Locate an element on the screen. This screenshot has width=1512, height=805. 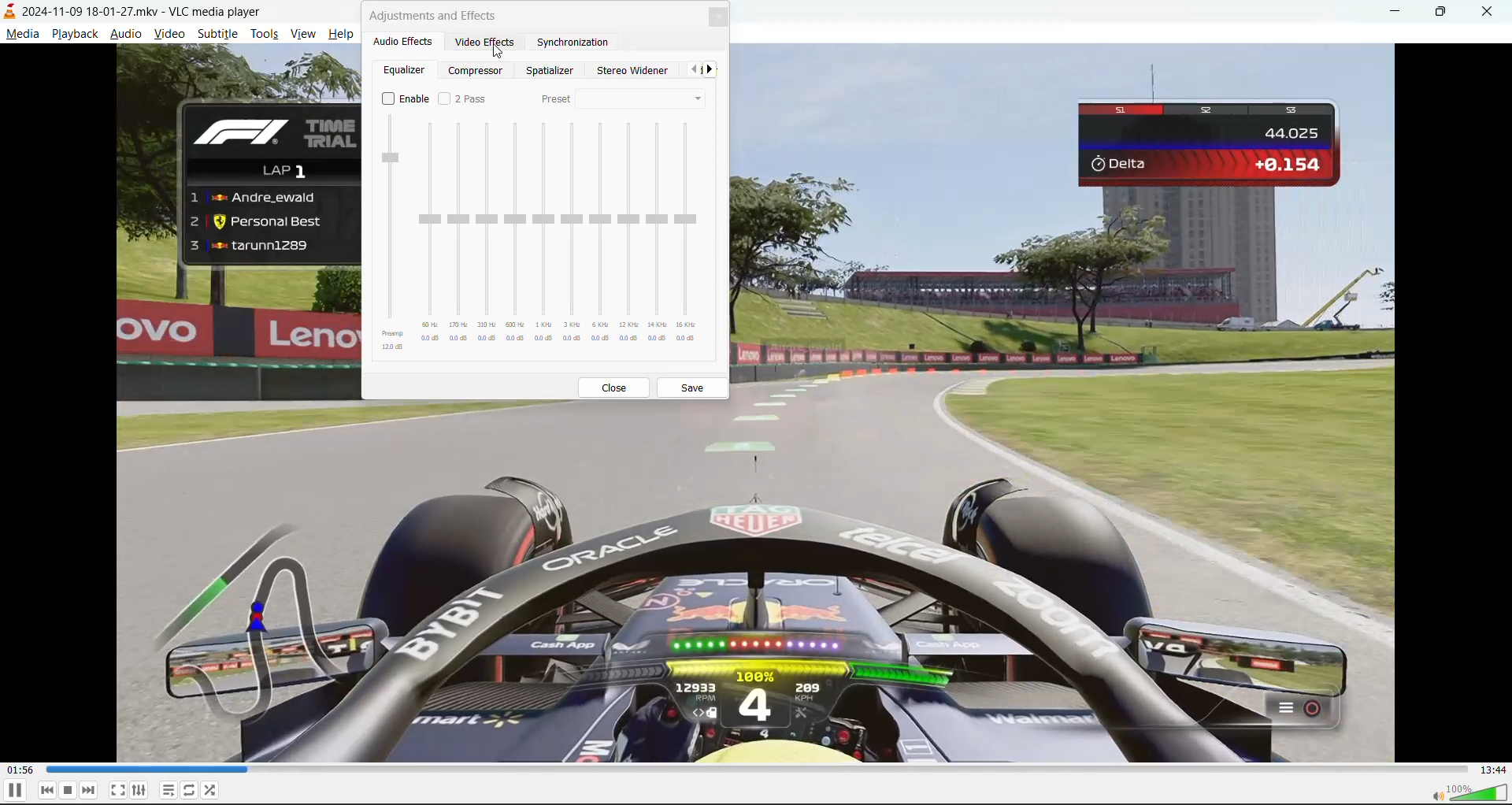
random is located at coordinates (211, 789).